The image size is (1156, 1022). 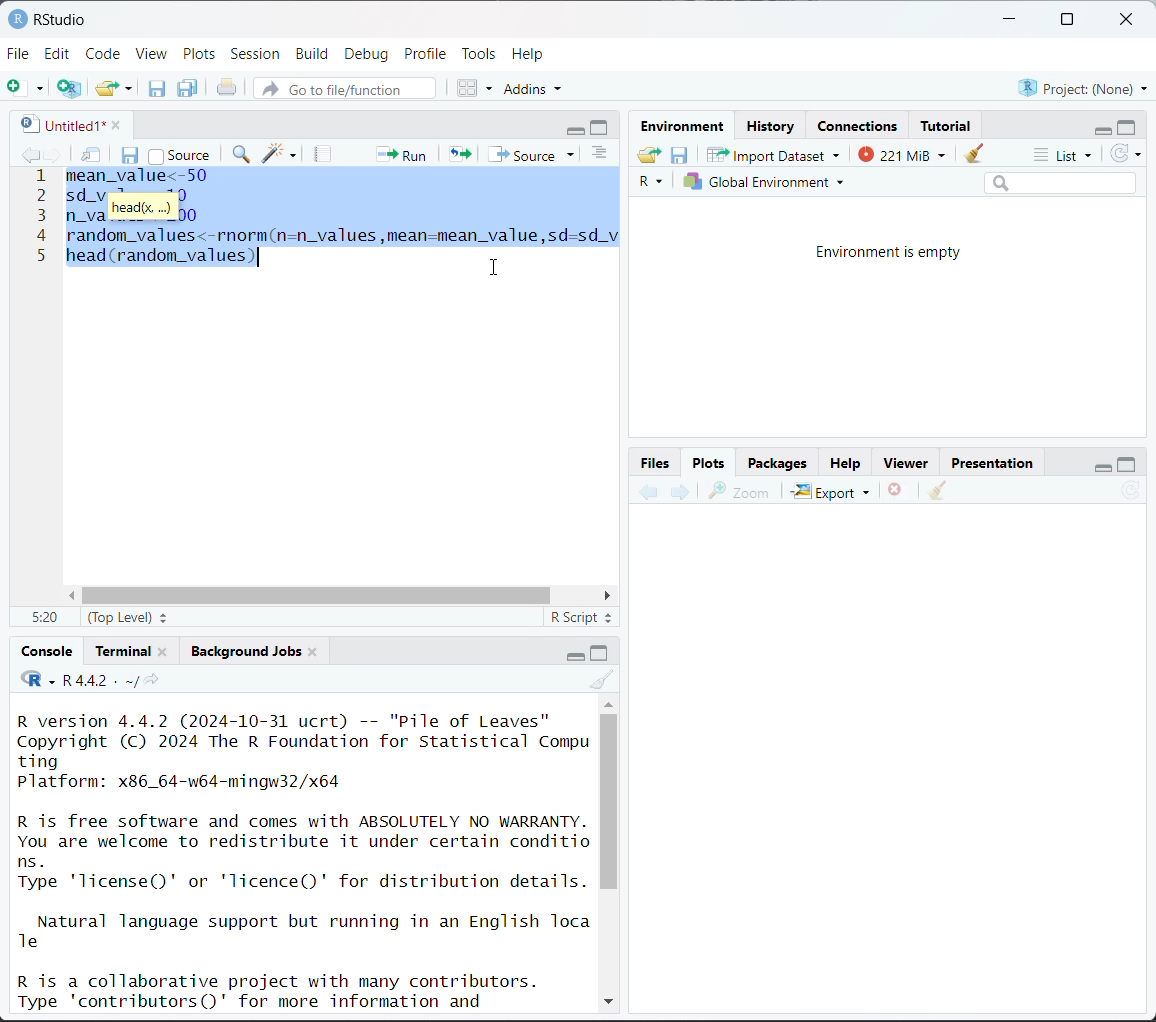 I want to click on Project:(None), so click(x=1082, y=86).